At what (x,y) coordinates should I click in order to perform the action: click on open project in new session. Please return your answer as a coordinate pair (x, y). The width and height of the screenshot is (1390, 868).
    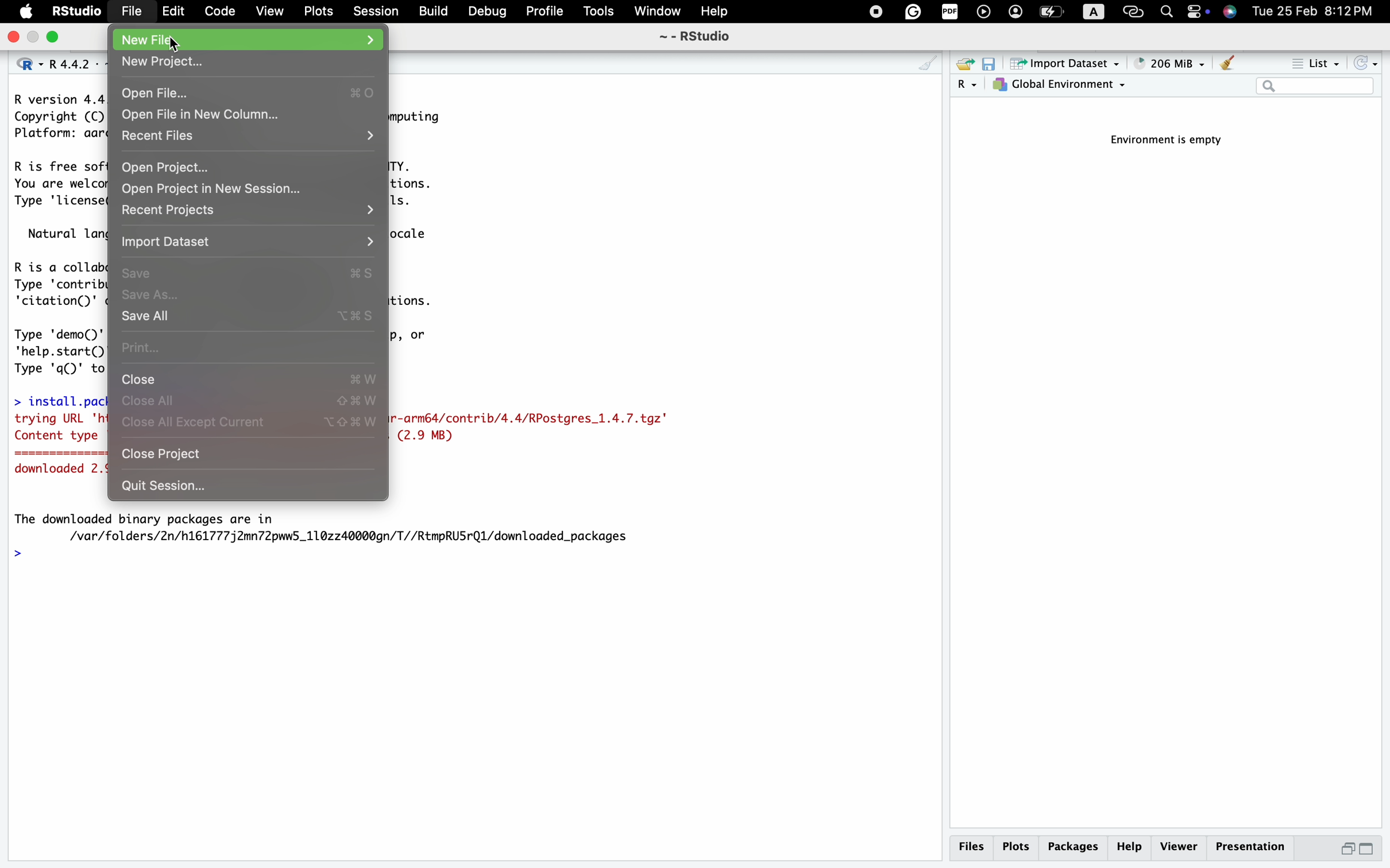
    Looking at the image, I should click on (233, 188).